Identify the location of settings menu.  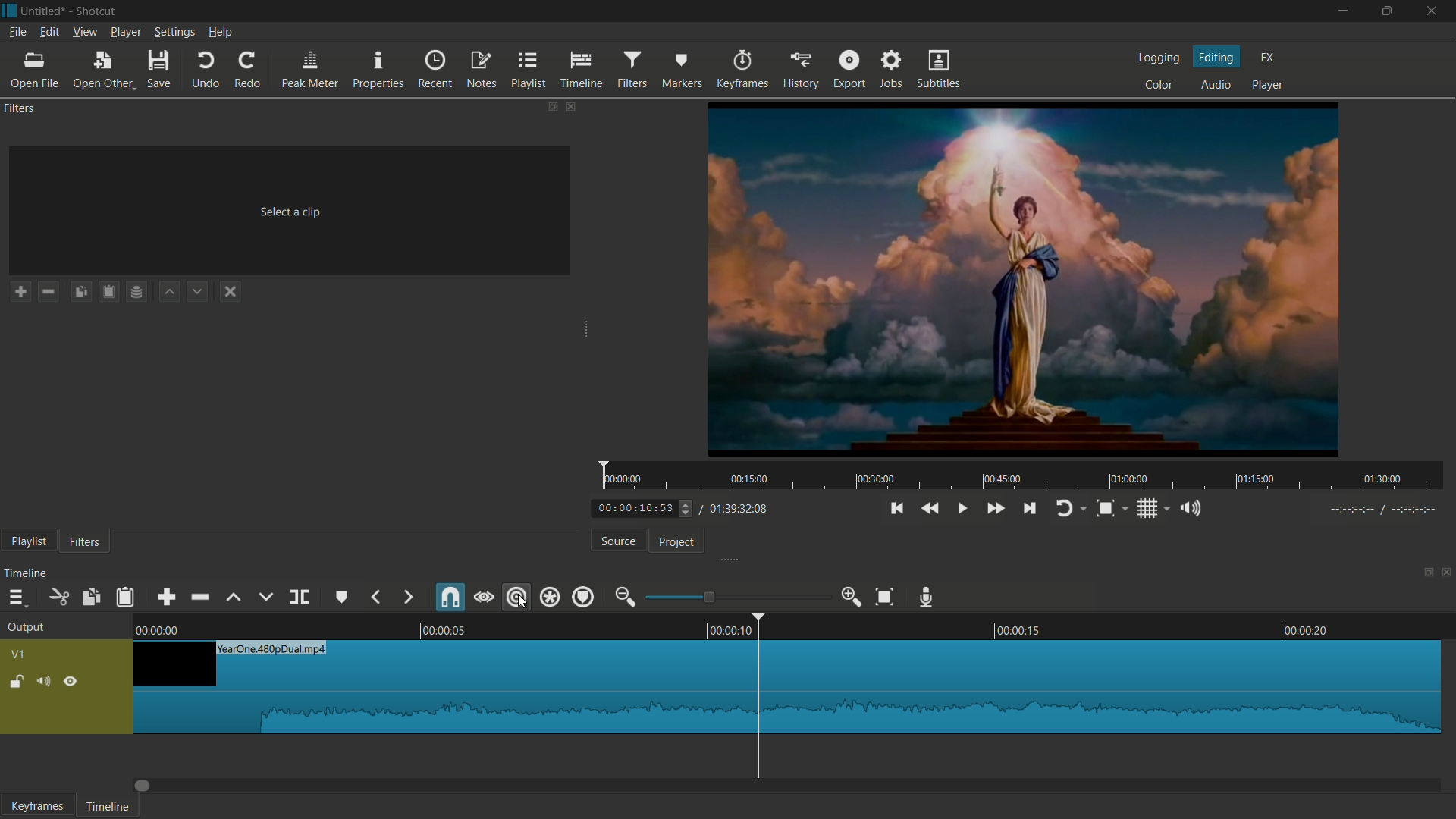
(174, 33).